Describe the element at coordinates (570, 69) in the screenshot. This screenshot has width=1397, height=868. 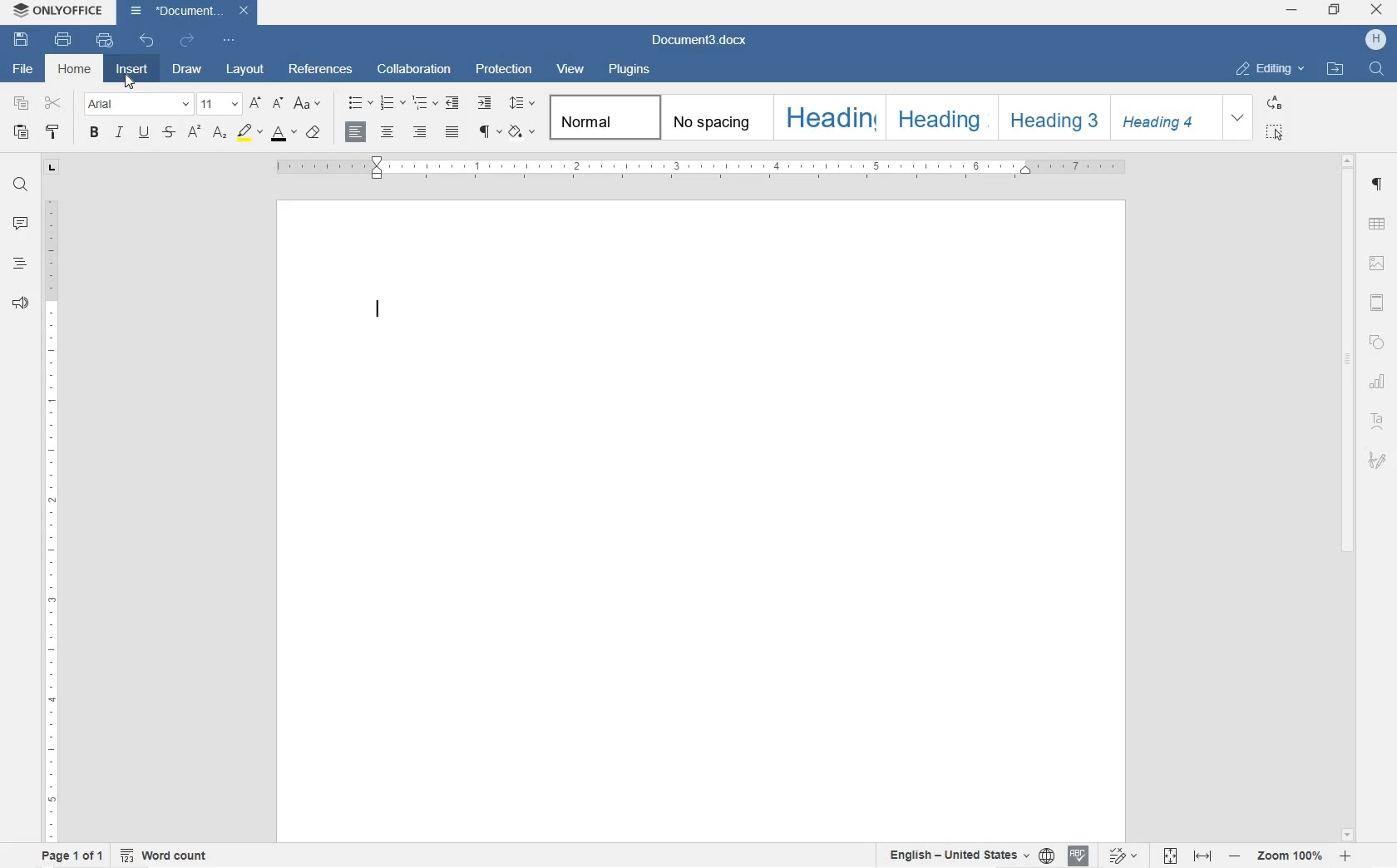
I see `VIEW` at that location.